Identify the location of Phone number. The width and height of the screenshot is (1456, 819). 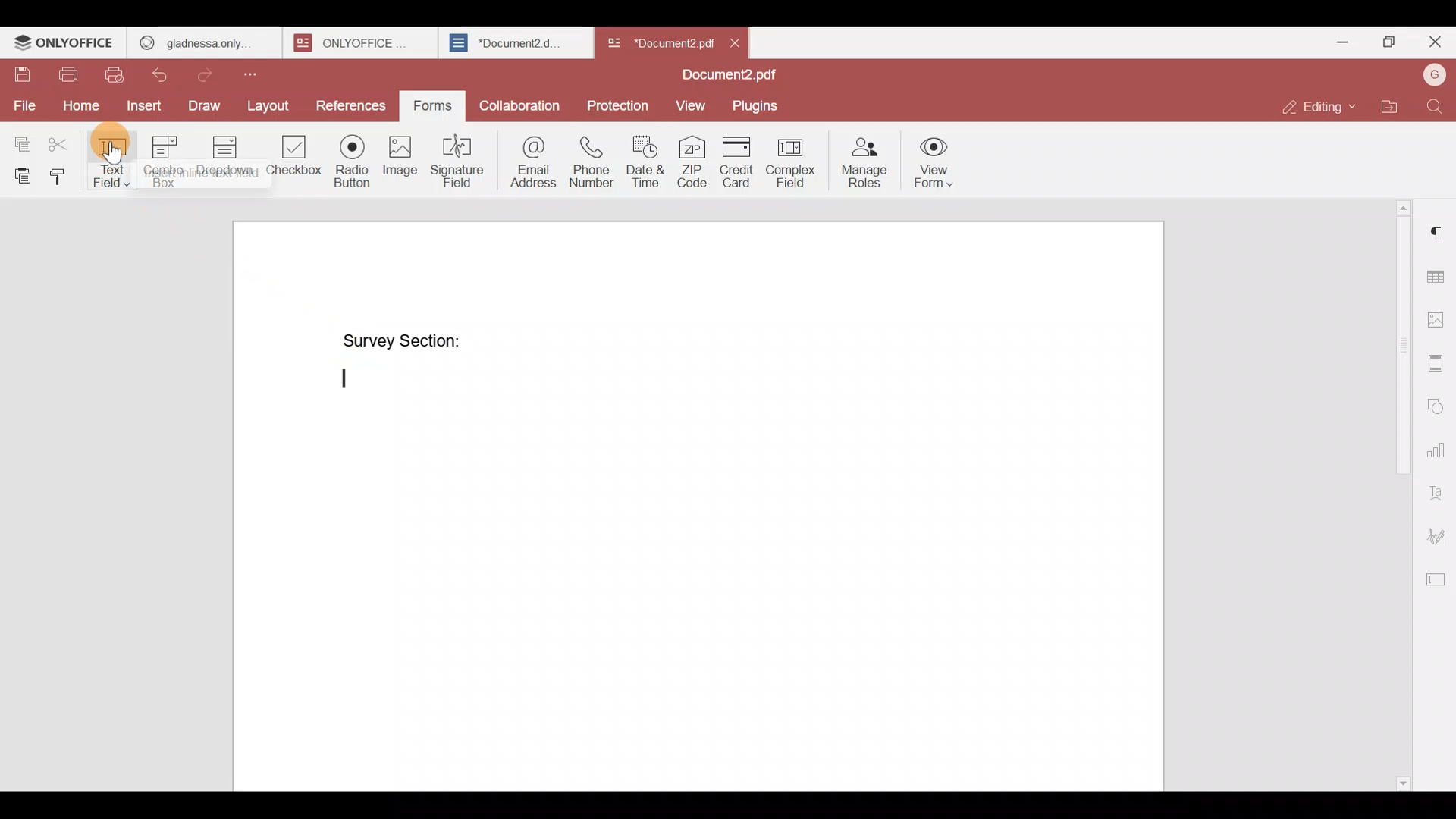
(593, 161).